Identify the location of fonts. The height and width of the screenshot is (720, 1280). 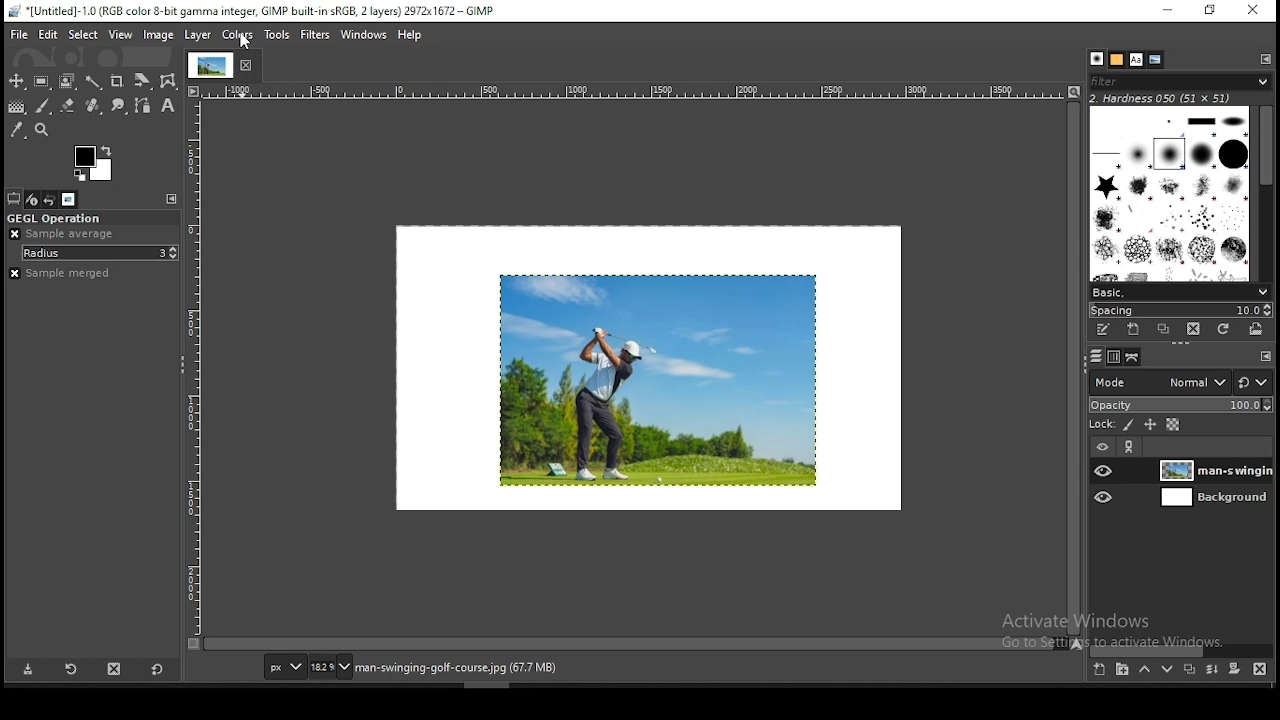
(1135, 60).